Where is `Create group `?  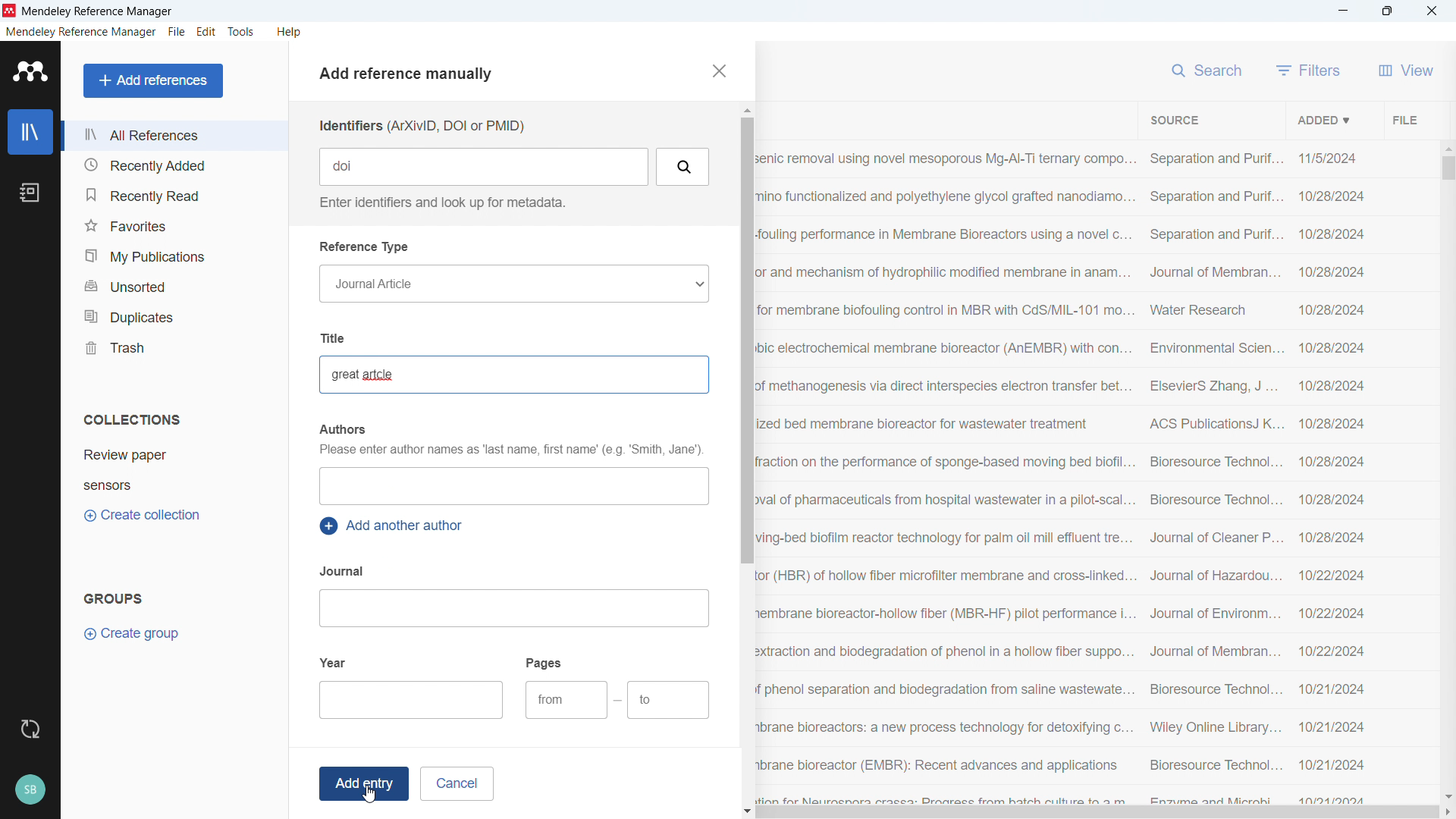
Create group  is located at coordinates (133, 634).